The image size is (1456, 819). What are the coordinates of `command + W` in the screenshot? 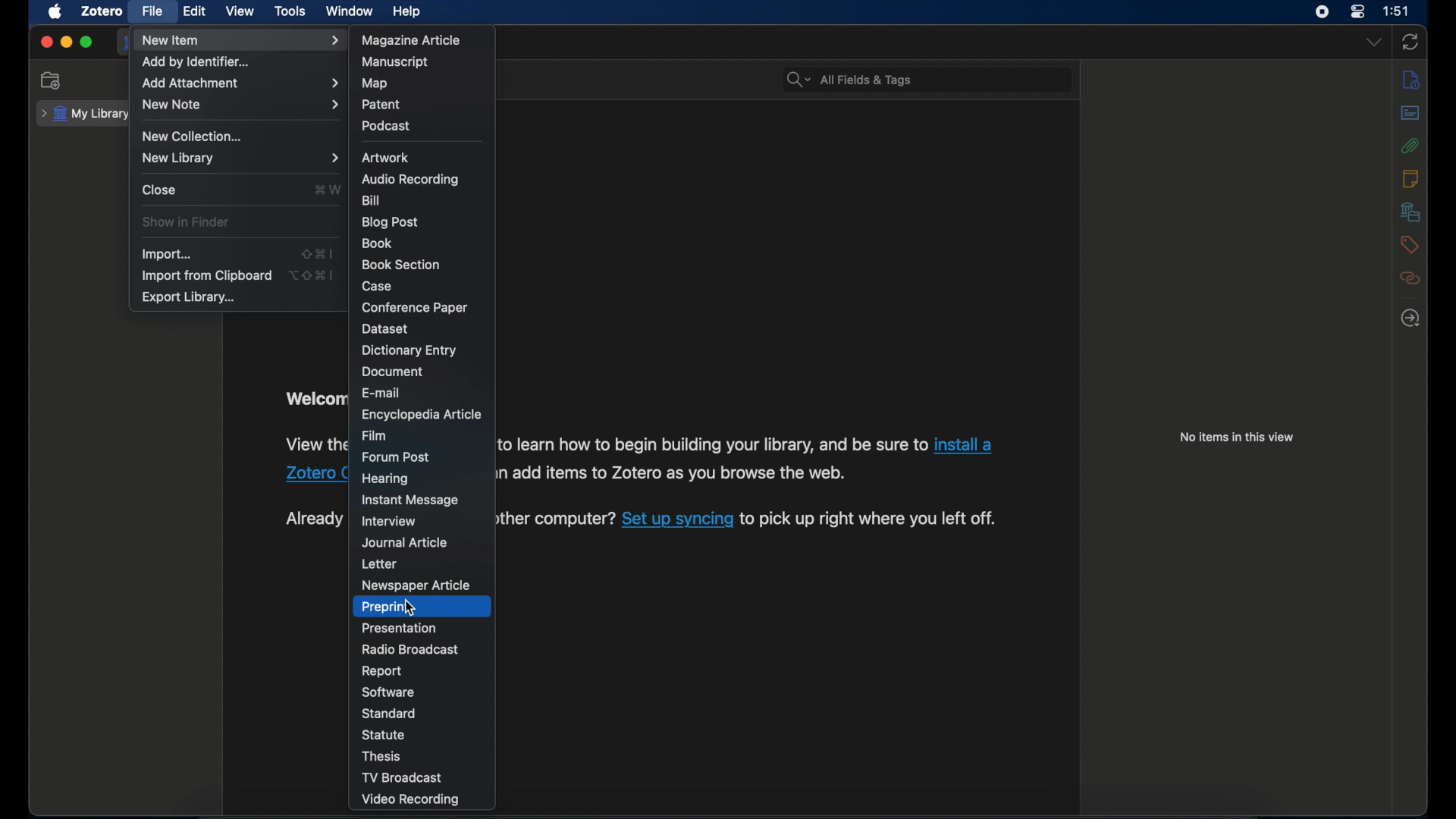 It's located at (326, 189).